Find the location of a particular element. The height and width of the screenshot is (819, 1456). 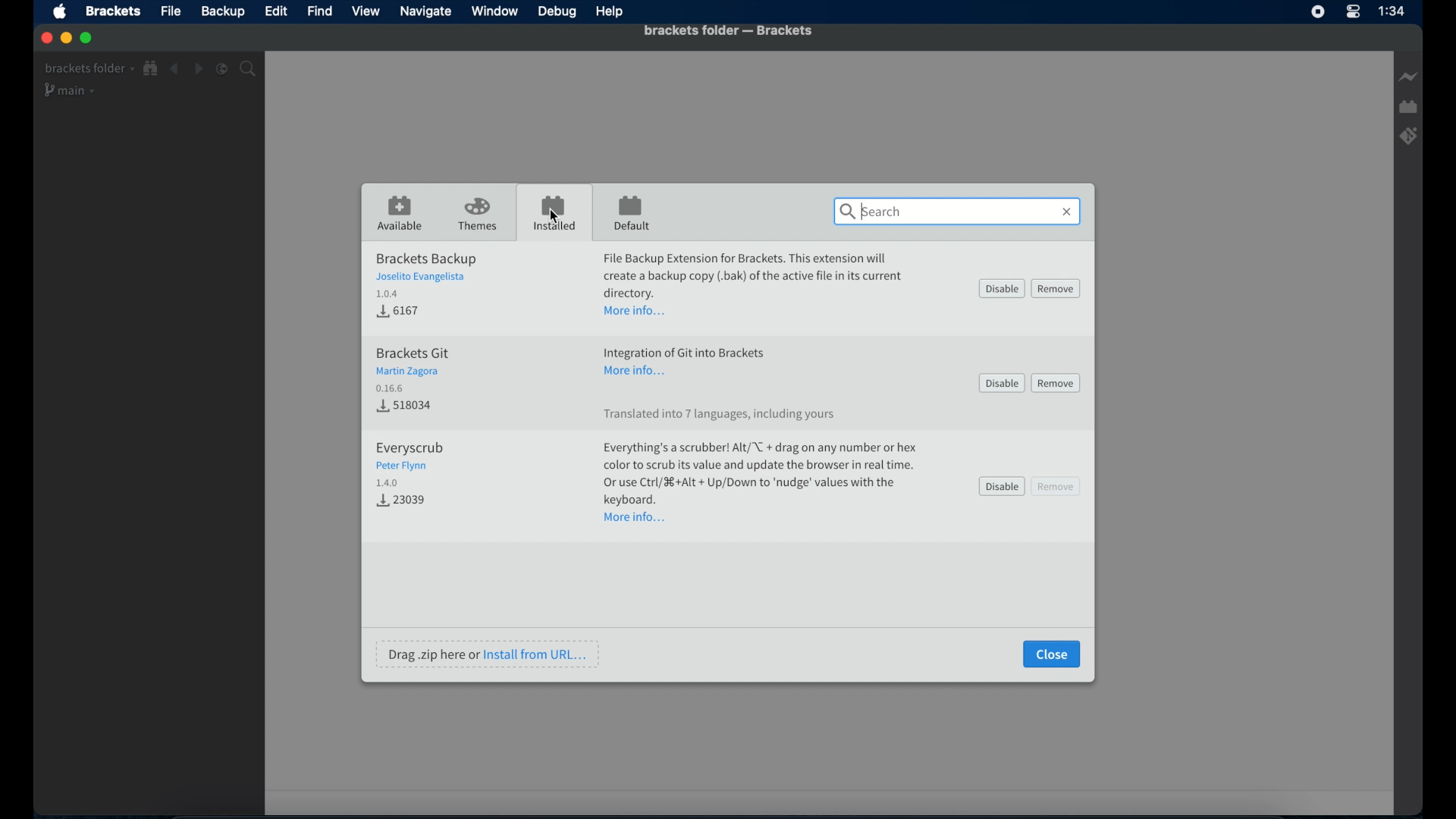

Download is located at coordinates (403, 502).